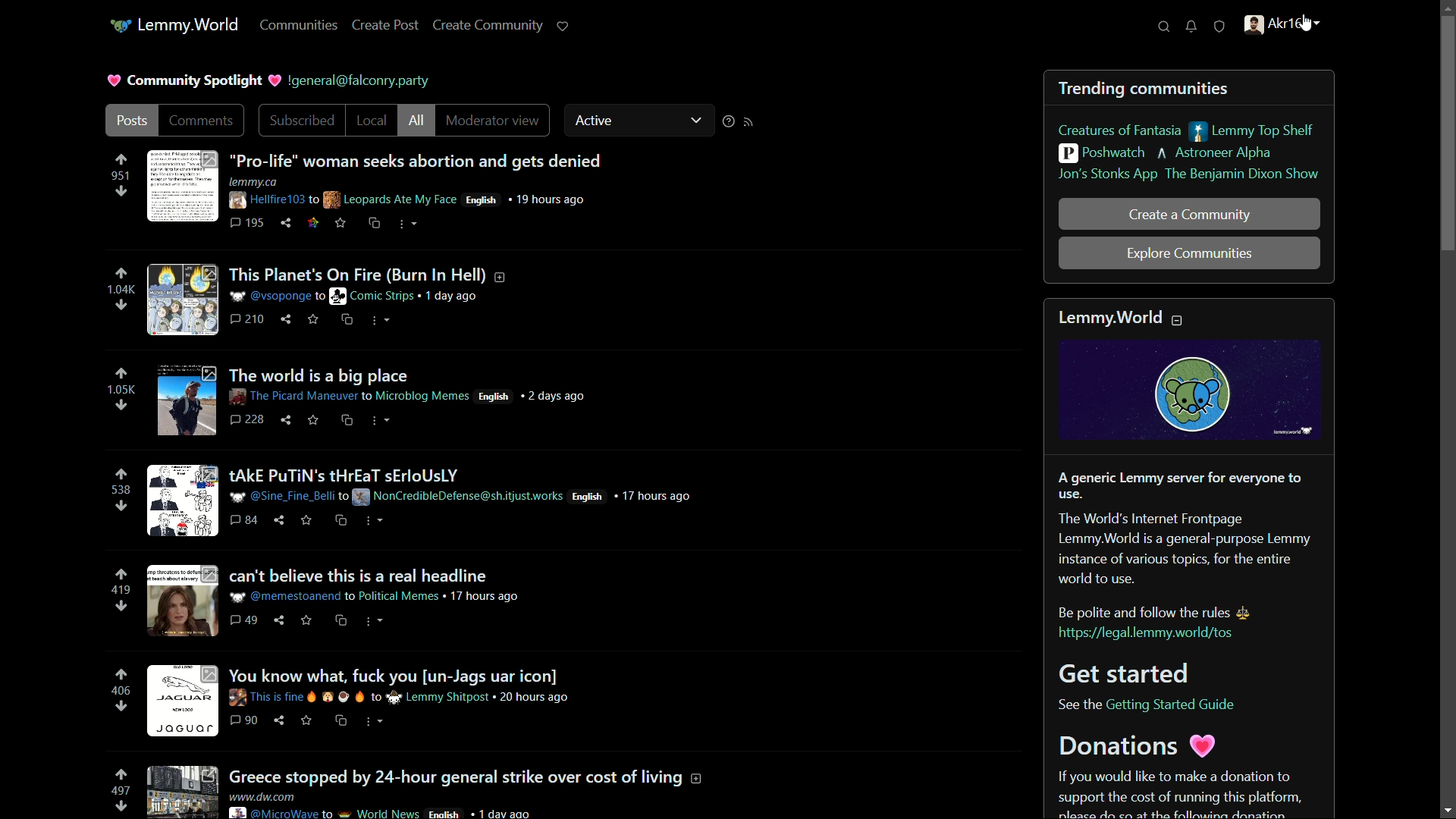  I want to click on rss, so click(748, 121).